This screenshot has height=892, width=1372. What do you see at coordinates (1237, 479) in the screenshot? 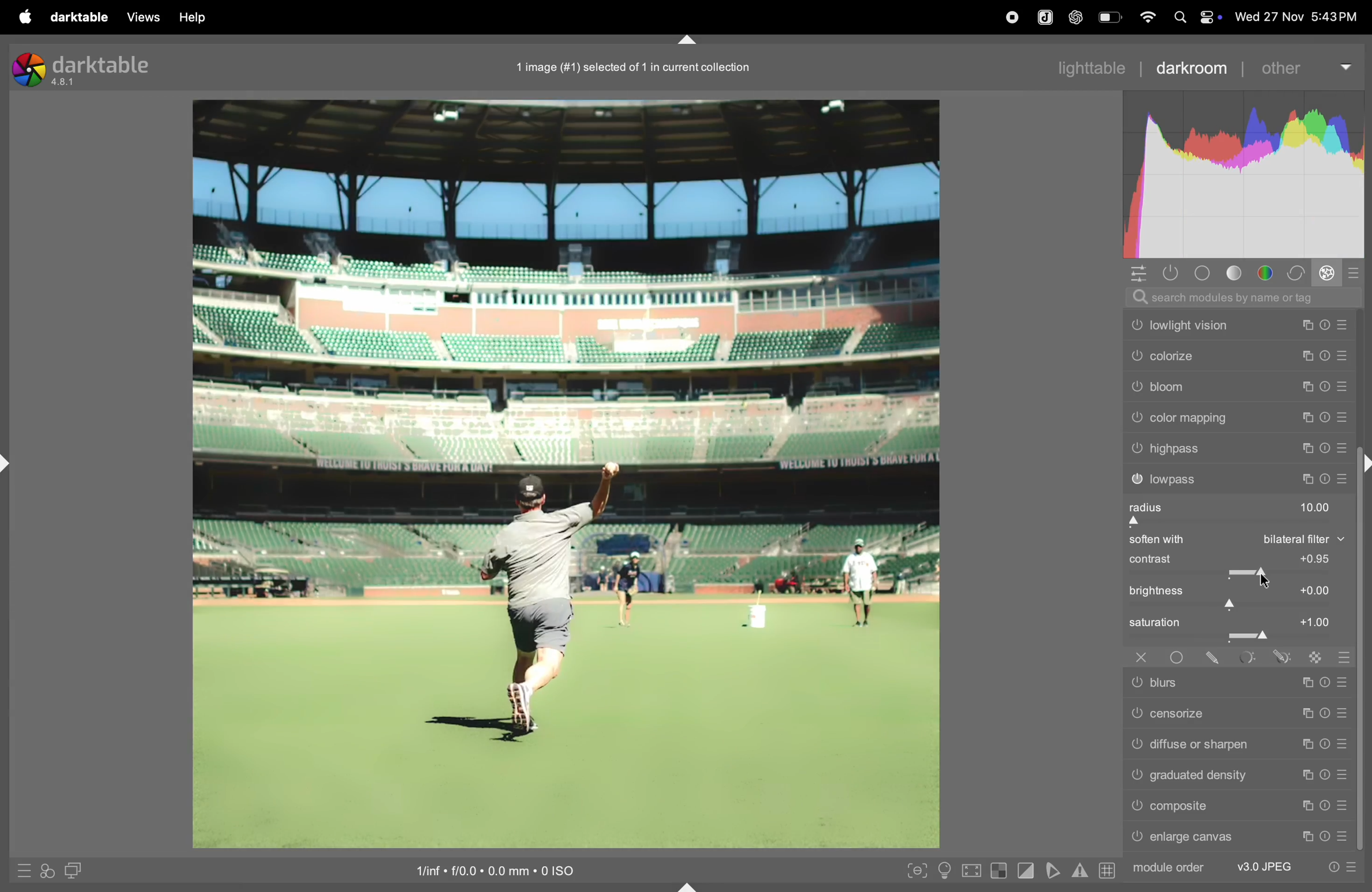
I see `lowpass` at bounding box center [1237, 479].